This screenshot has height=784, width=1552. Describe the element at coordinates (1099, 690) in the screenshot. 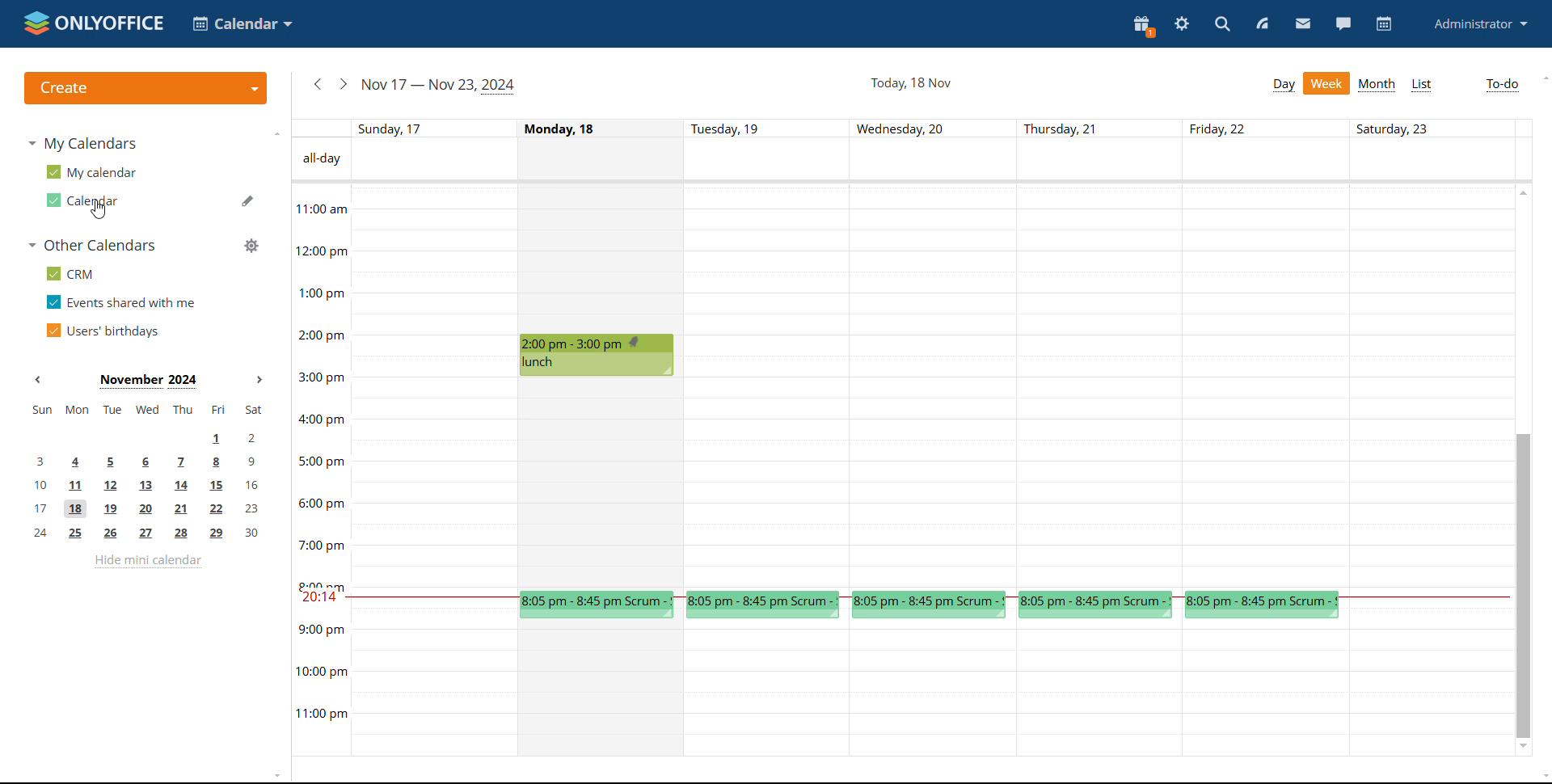

I see `thursday` at that location.